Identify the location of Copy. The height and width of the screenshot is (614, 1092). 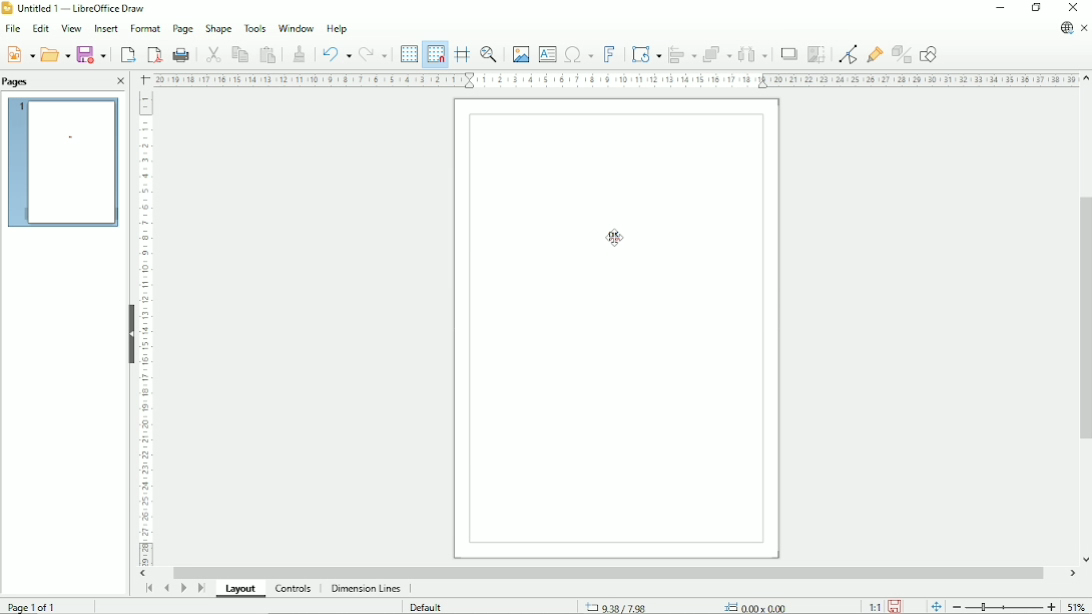
(241, 54).